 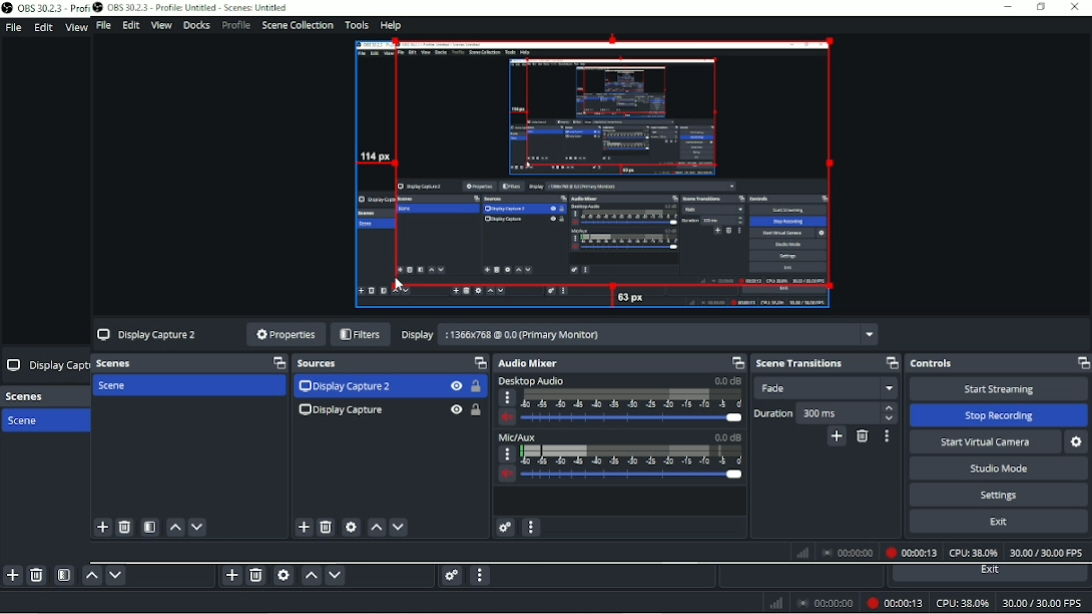 I want to click on up, so click(x=176, y=528).